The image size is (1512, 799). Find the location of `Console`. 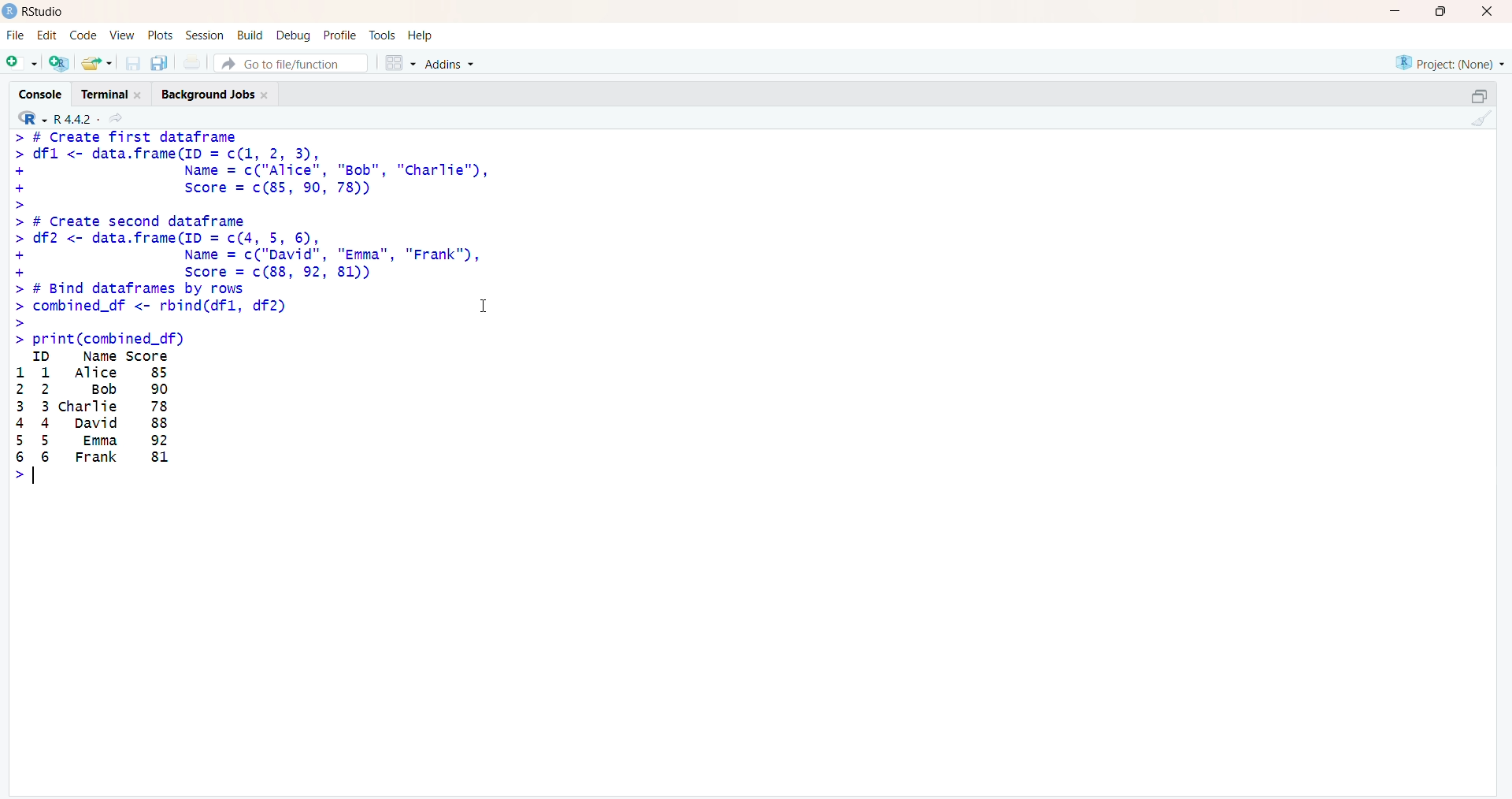

Console is located at coordinates (39, 93).